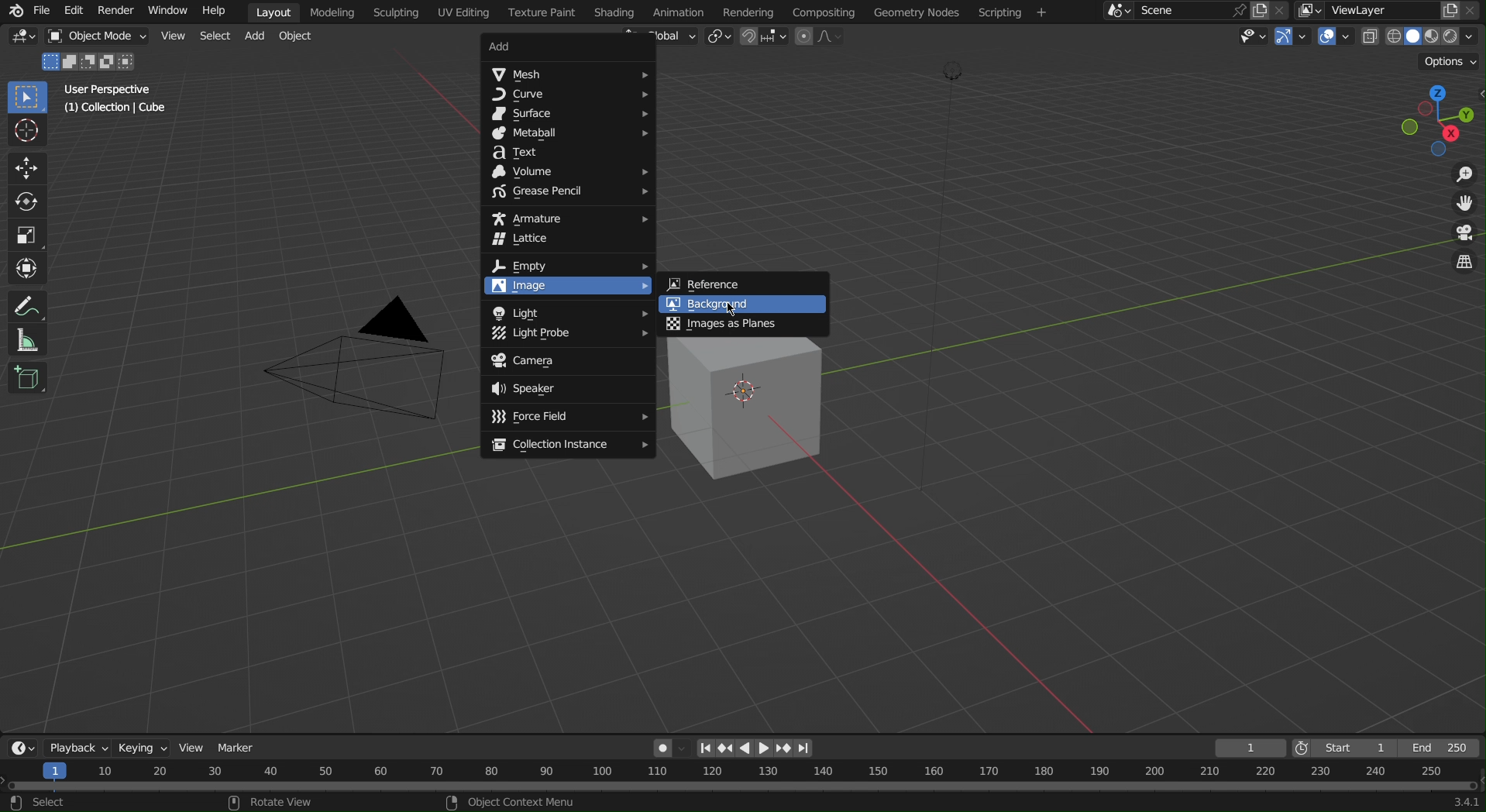 Image resolution: width=1486 pixels, height=812 pixels. I want to click on Show Gizmo, so click(1292, 38).